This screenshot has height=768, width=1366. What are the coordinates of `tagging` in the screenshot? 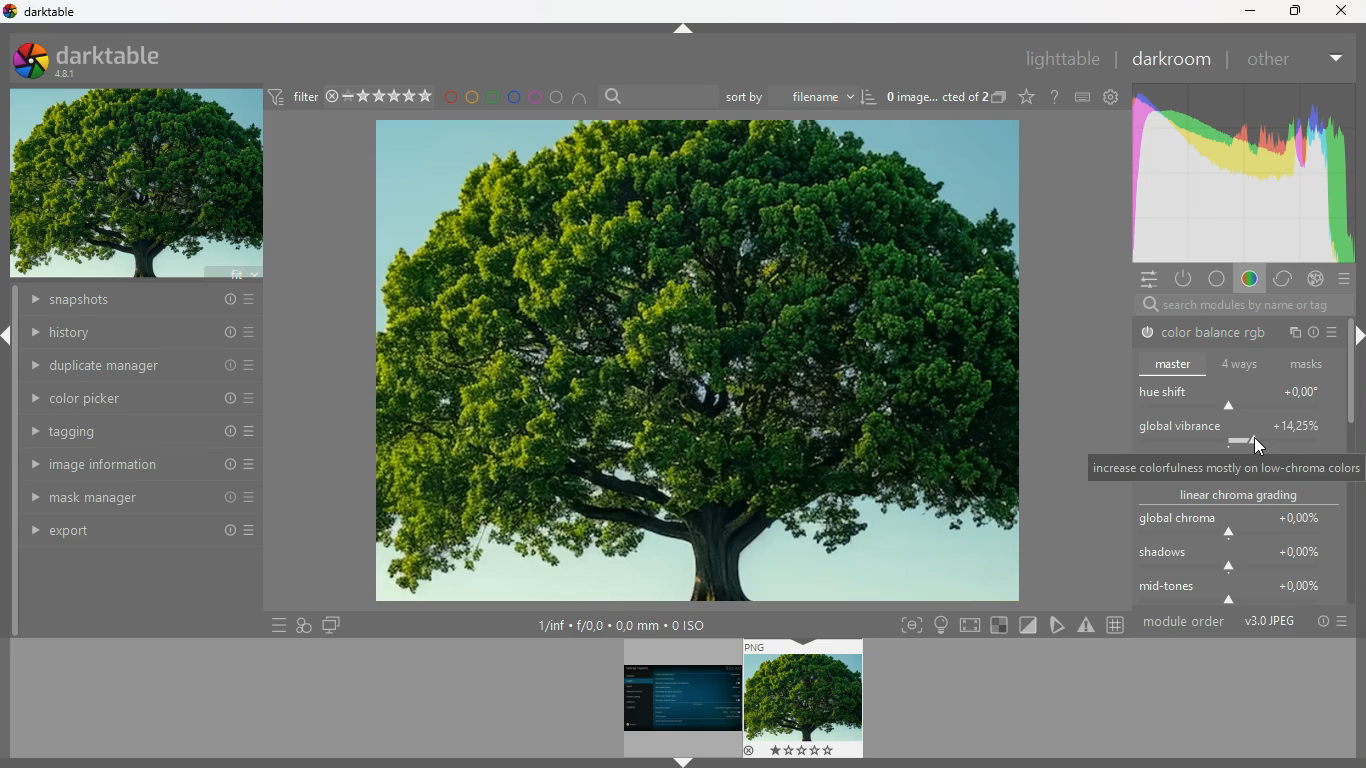 It's located at (143, 432).